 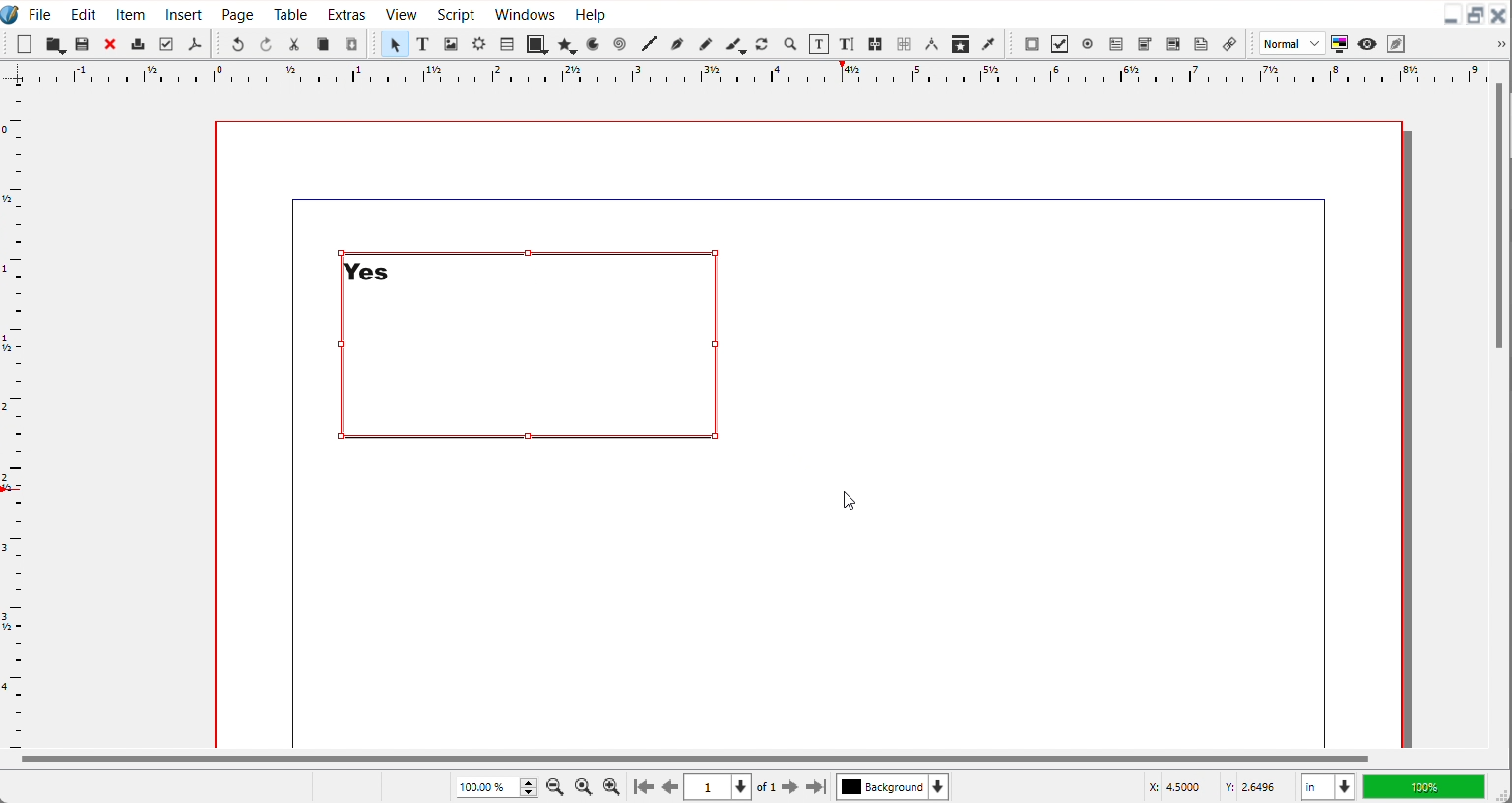 What do you see at coordinates (346, 12) in the screenshot?
I see `Extras` at bounding box center [346, 12].